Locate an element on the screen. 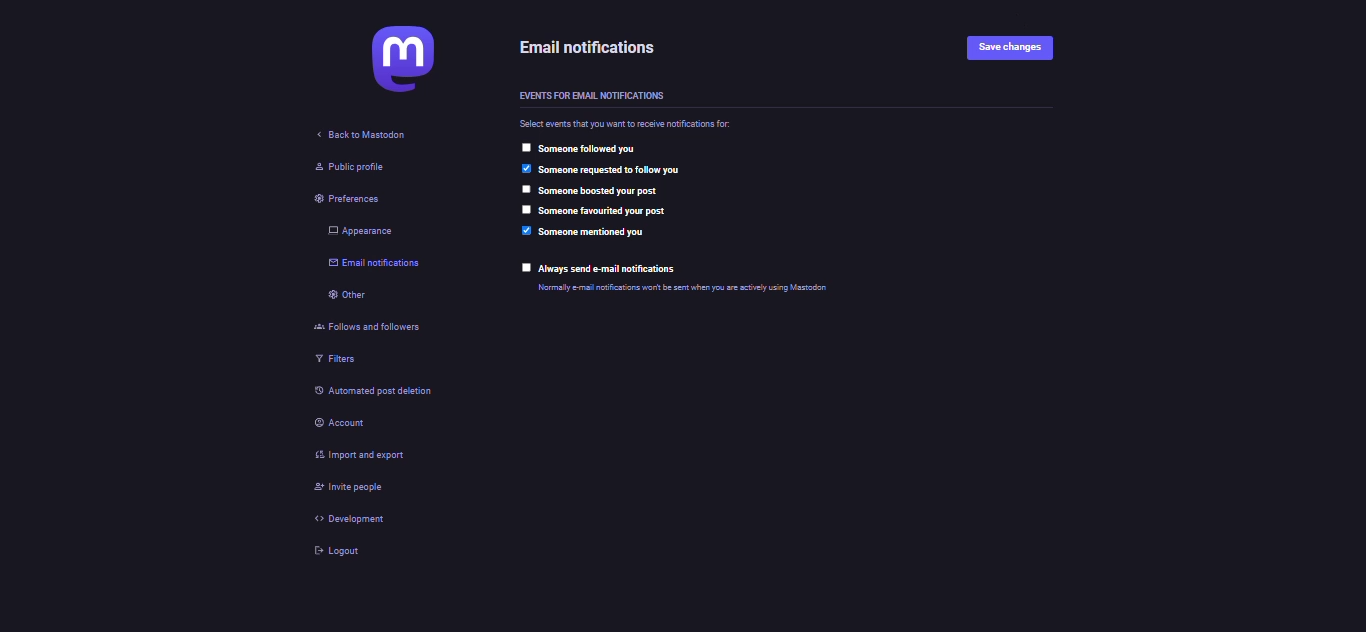  email notifications is located at coordinates (376, 266).